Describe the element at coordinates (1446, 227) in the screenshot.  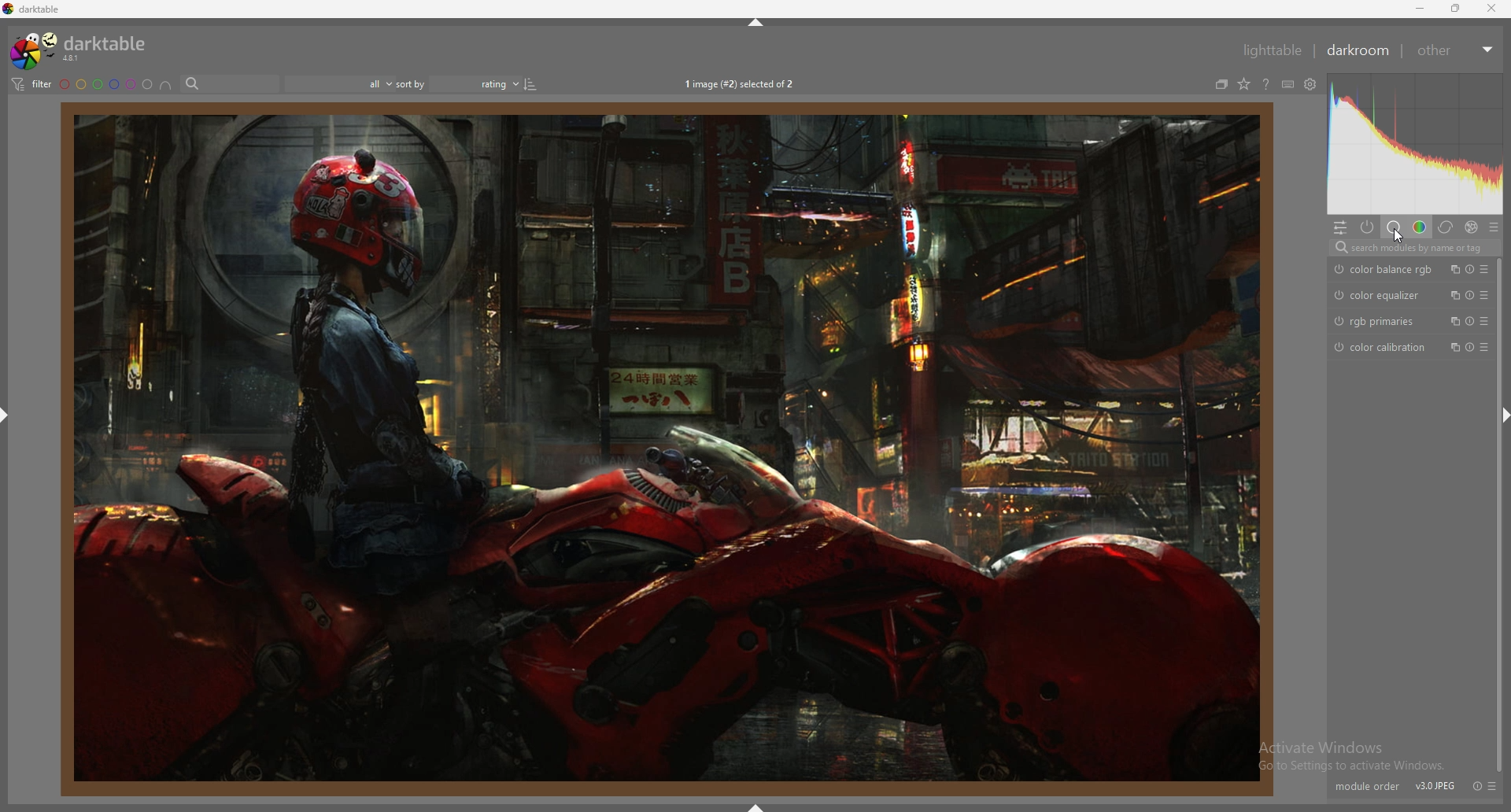
I see `correct` at that location.